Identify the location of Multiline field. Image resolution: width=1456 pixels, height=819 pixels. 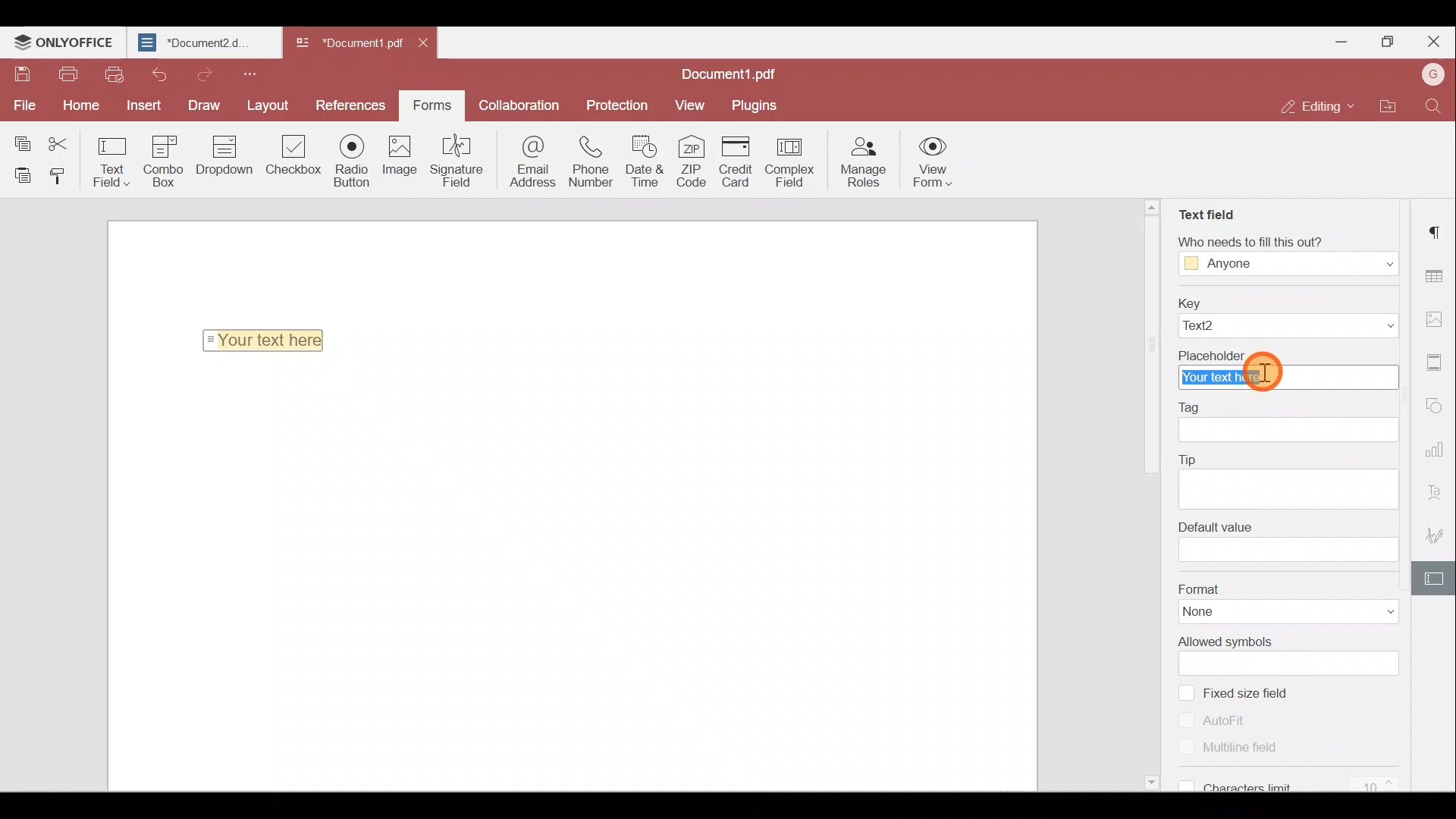
(1250, 748).